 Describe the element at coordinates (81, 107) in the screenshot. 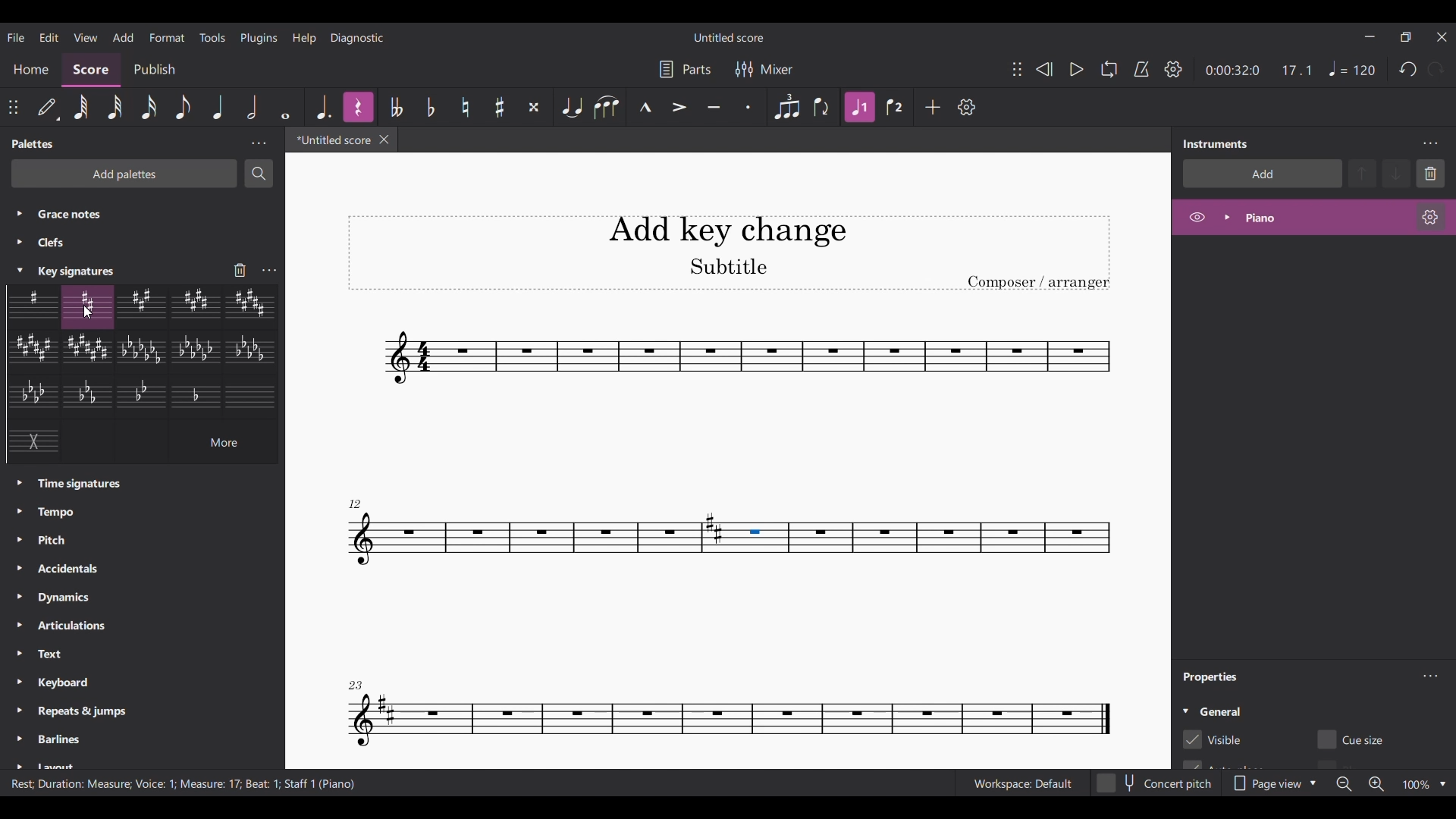

I see `64th note` at that location.